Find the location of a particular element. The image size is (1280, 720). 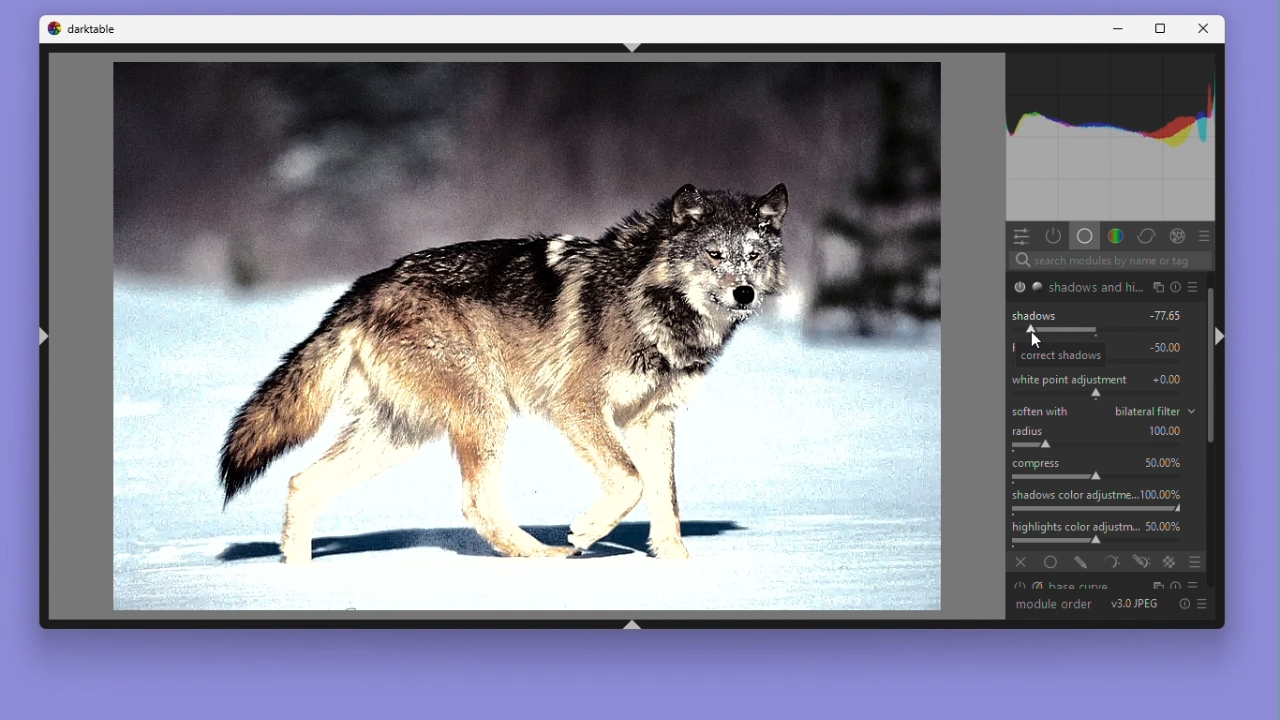

parametric mask is located at coordinates (1106, 562).